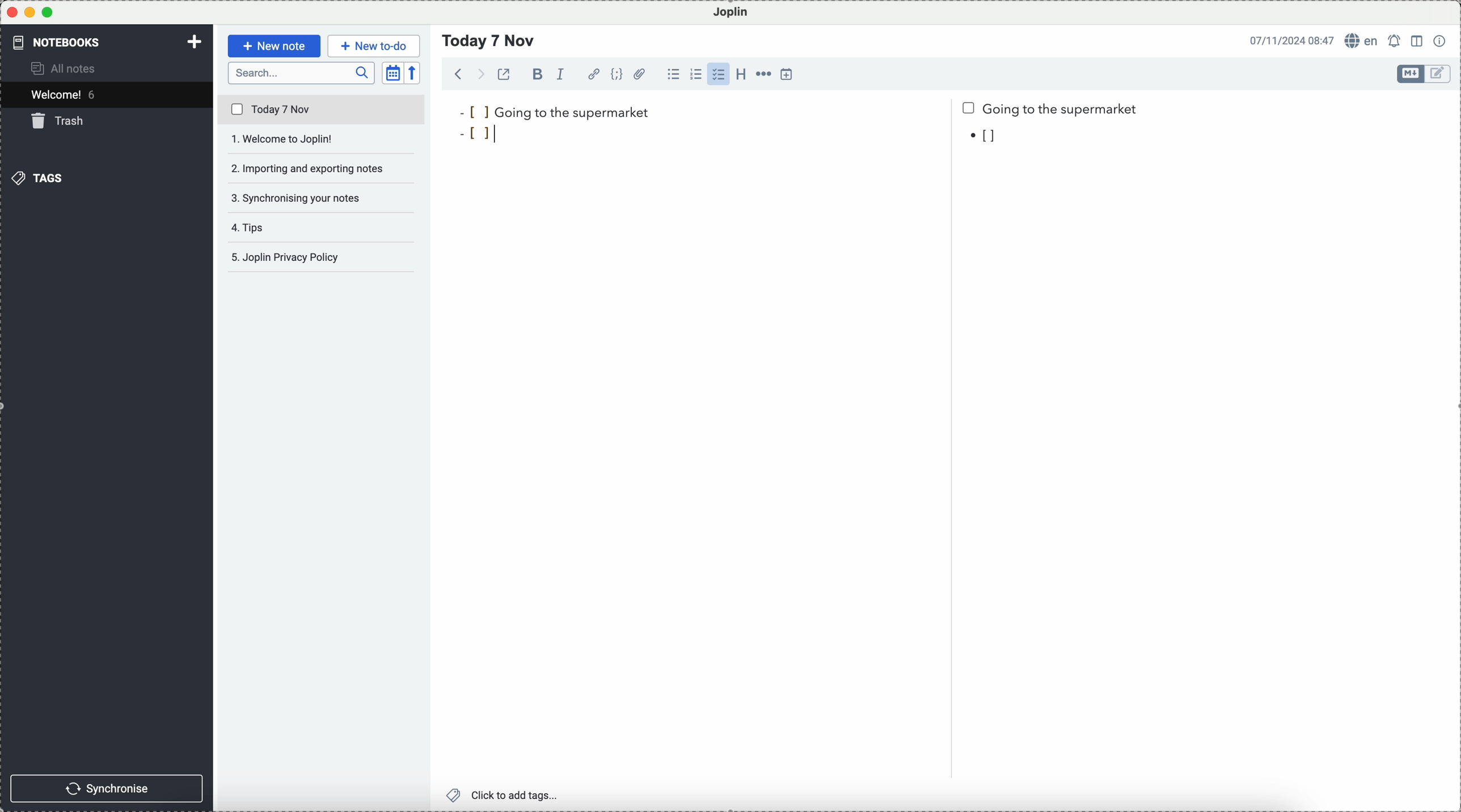  Describe the element at coordinates (1396, 41) in the screenshot. I see `set alarm` at that location.